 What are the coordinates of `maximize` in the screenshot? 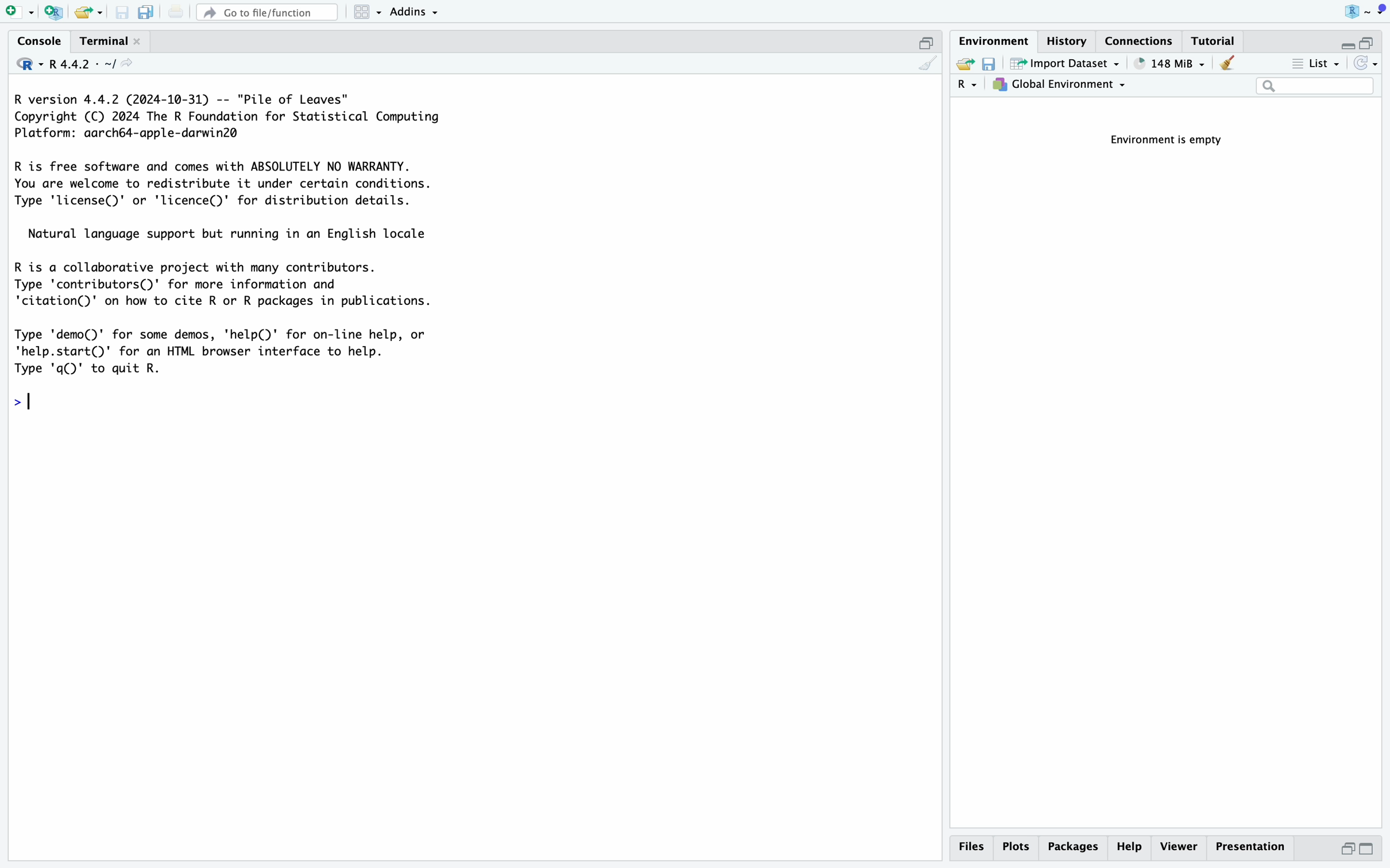 It's located at (1373, 37).